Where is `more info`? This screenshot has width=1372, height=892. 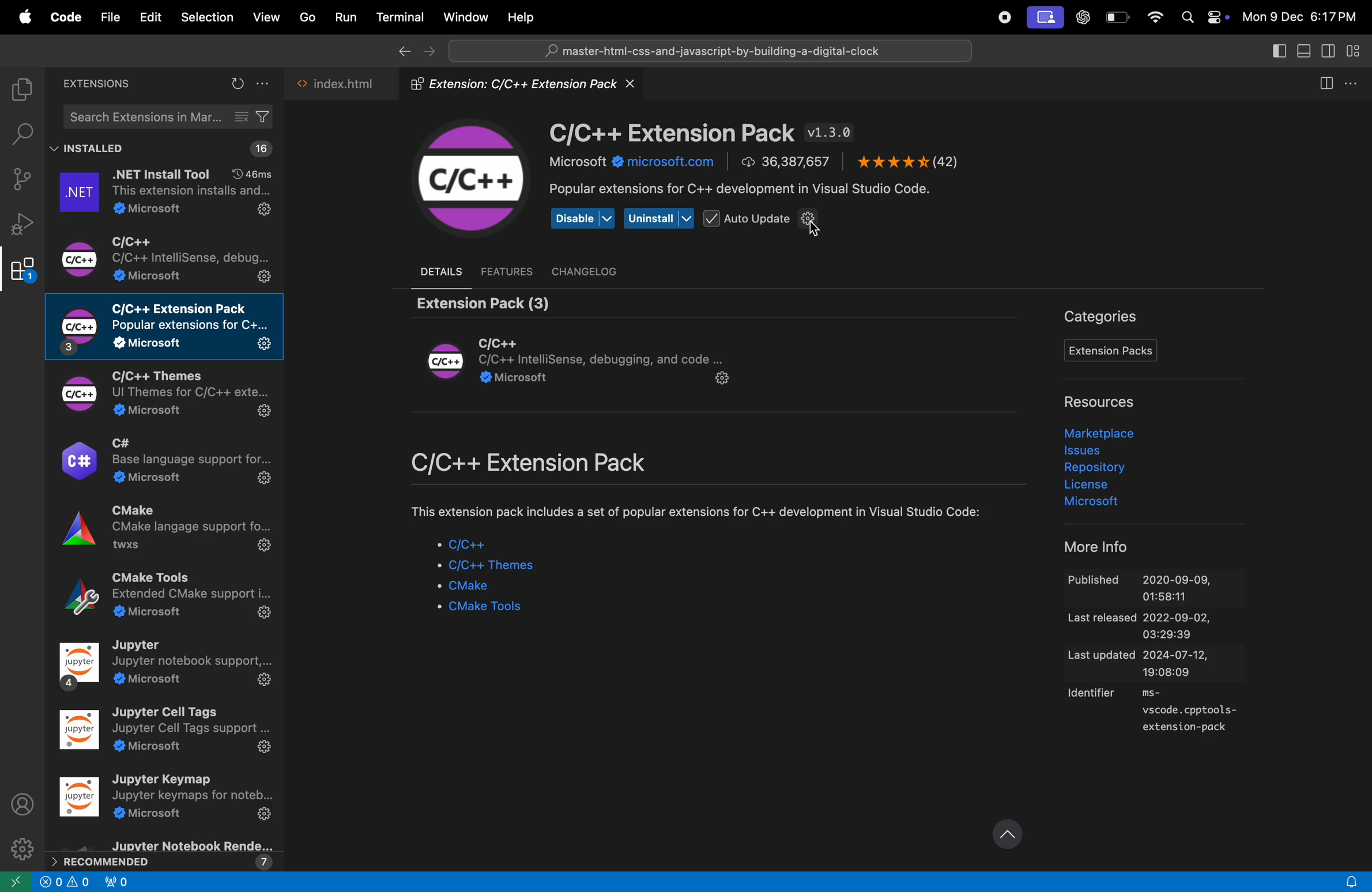
more info is located at coordinates (1106, 547).